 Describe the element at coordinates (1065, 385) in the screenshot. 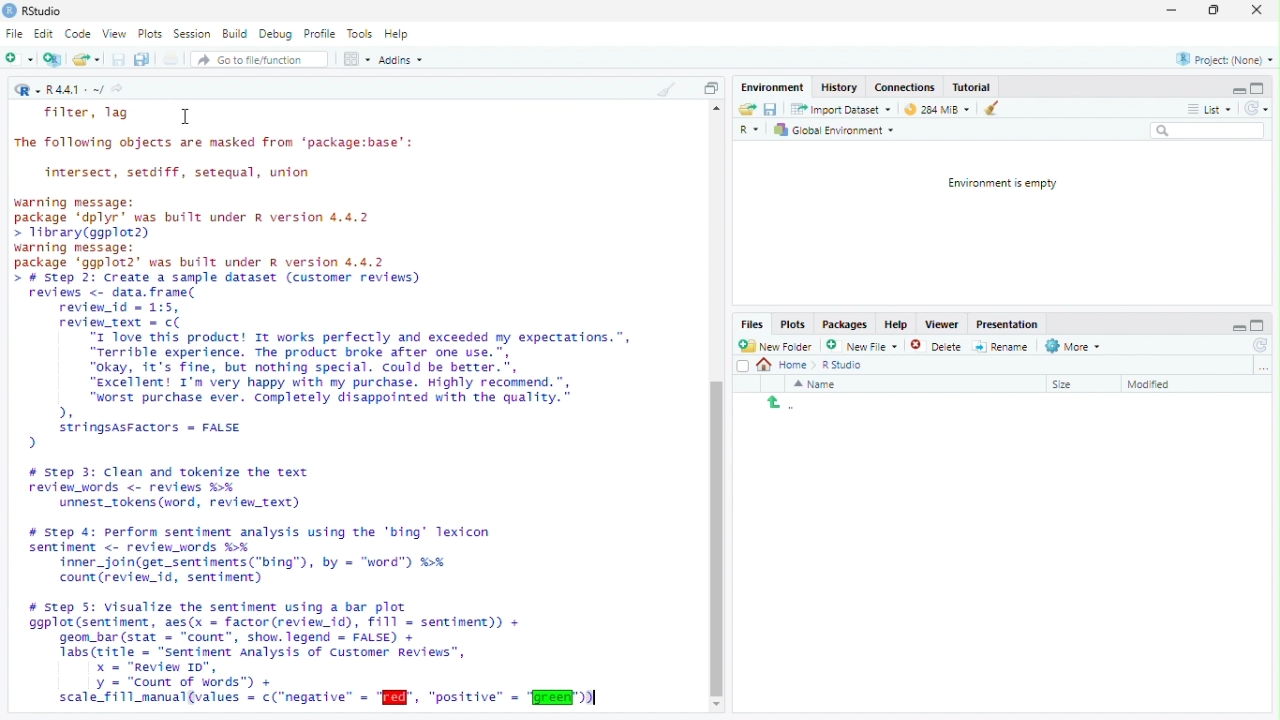

I see `Size` at that location.